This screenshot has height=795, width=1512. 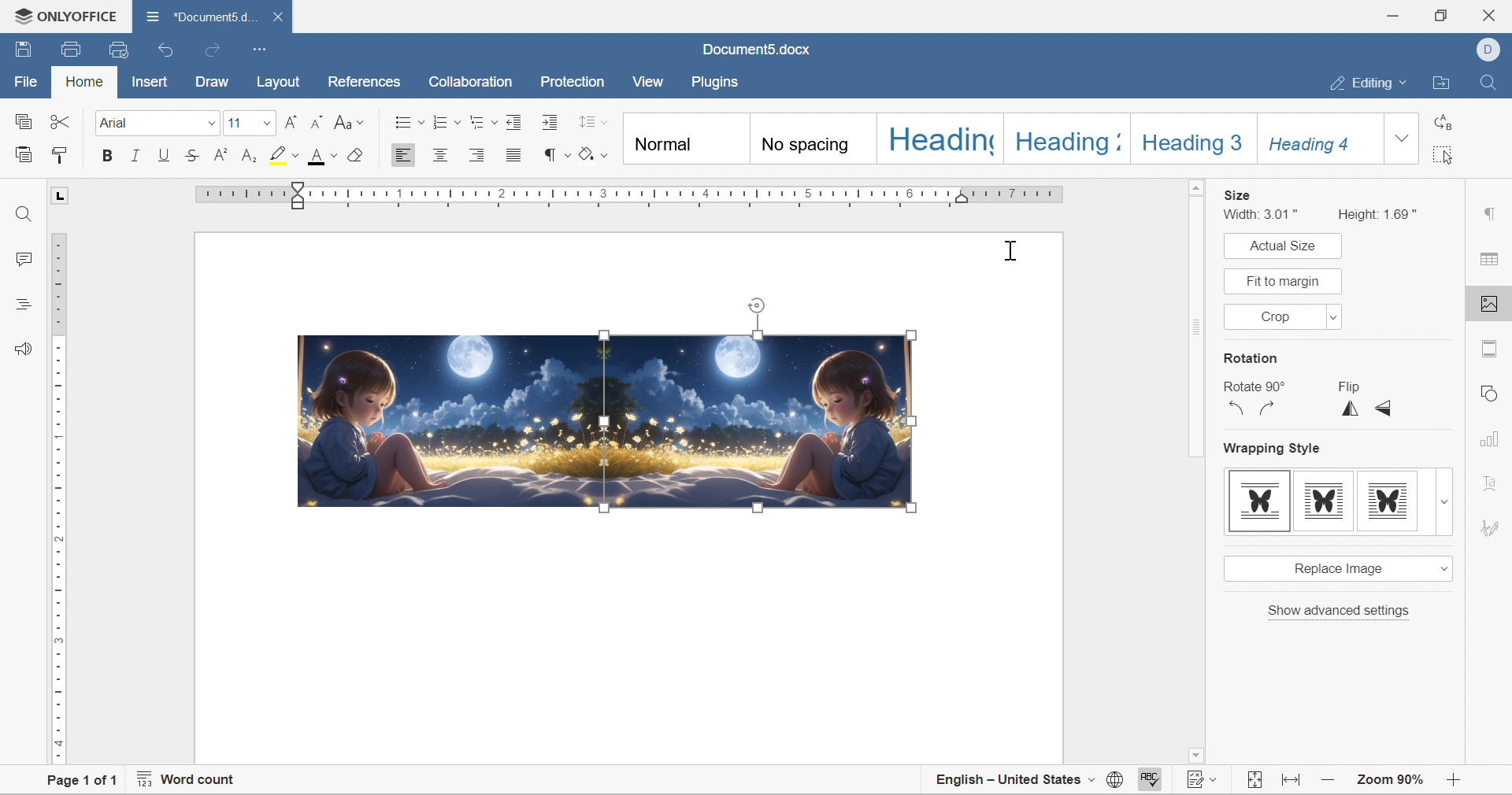 I want to click on Mirror Image, so click(x=761, y=422).